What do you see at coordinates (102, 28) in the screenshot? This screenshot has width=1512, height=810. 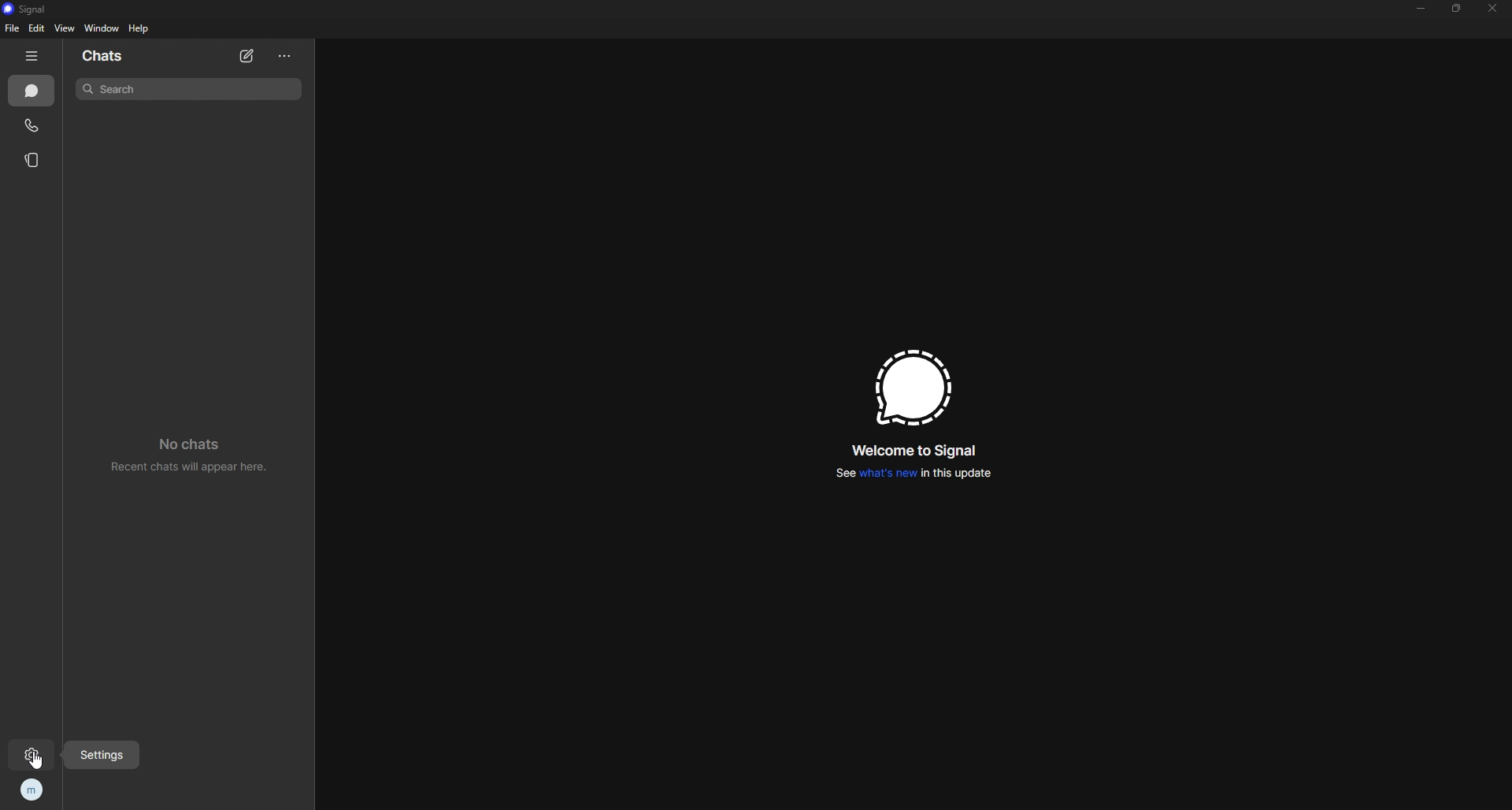 I see `window` at bounding box center [102, 28].